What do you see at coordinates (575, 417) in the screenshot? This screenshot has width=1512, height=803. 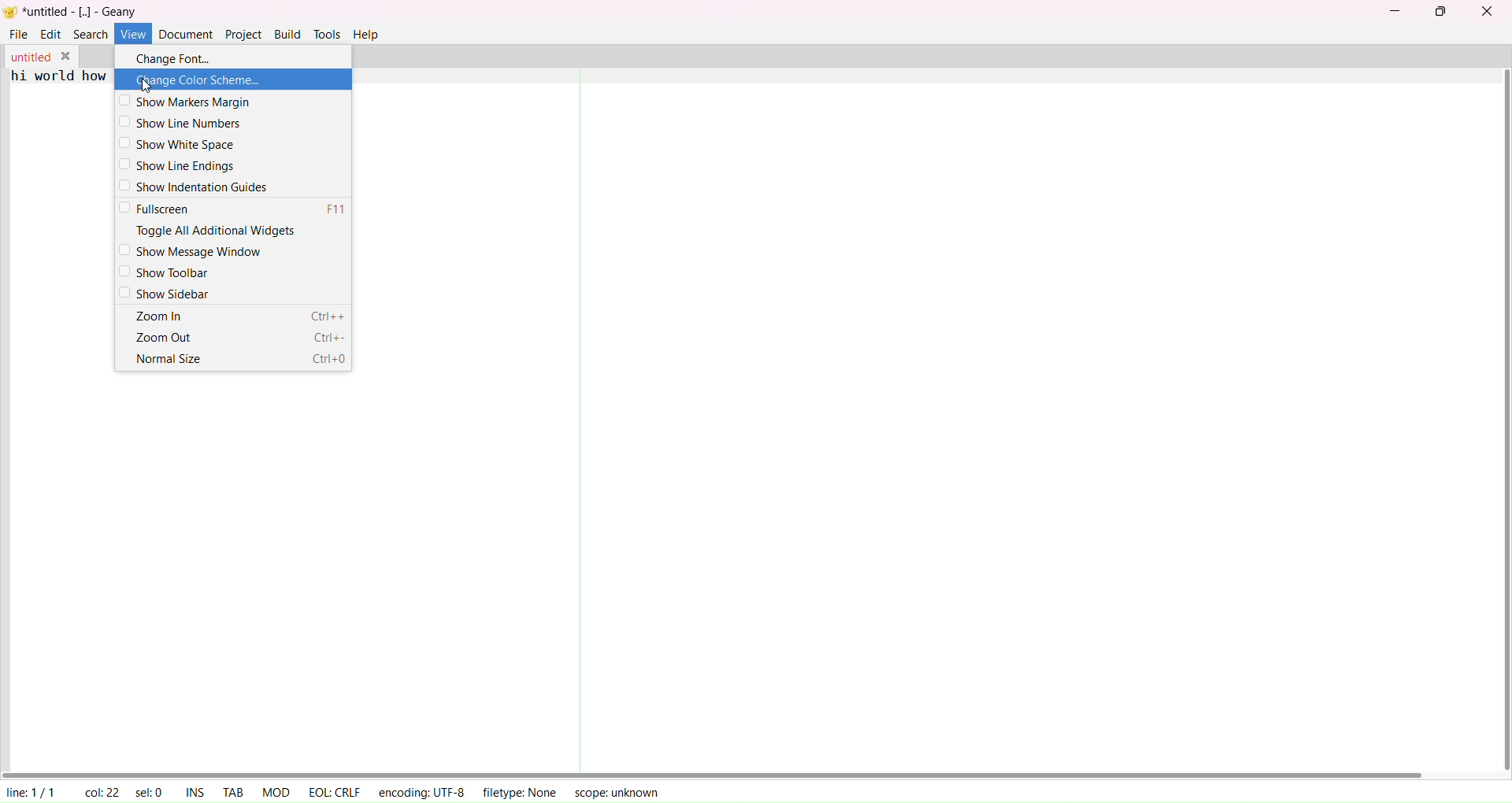 I see `separator` at bounding box center [575, 417].